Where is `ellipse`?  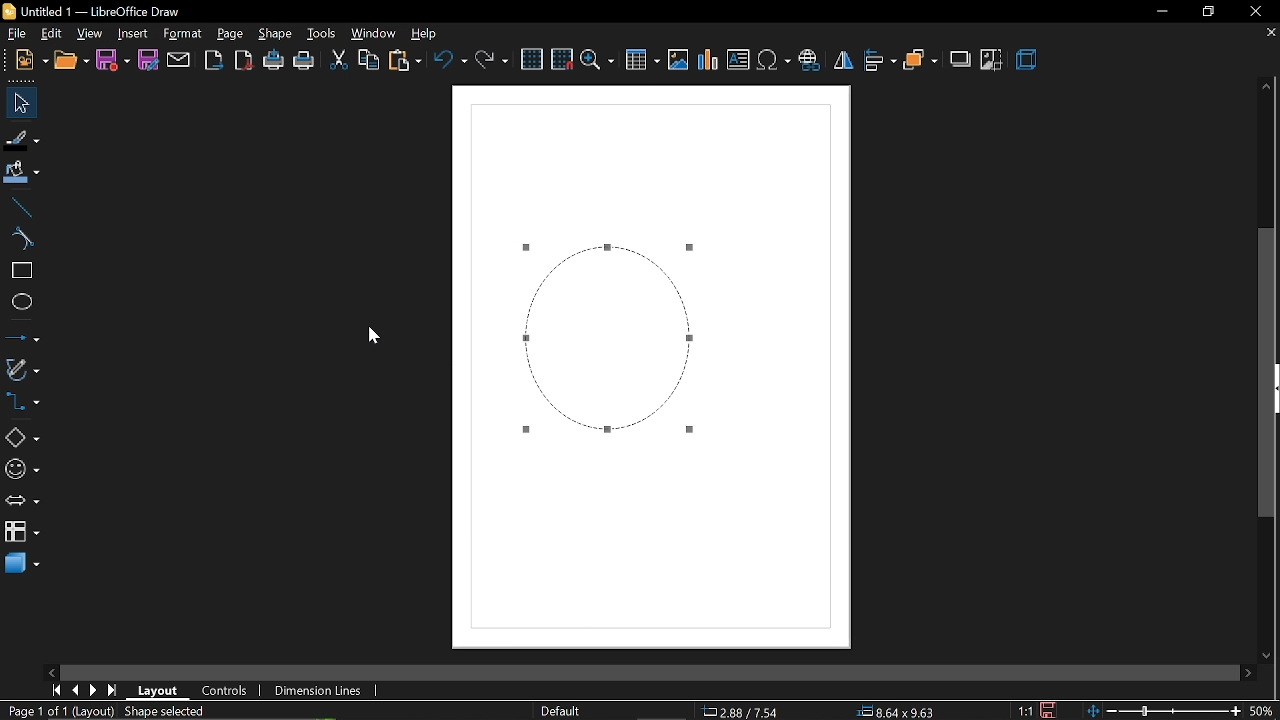
ellipse is located at coordinates (21, 301).